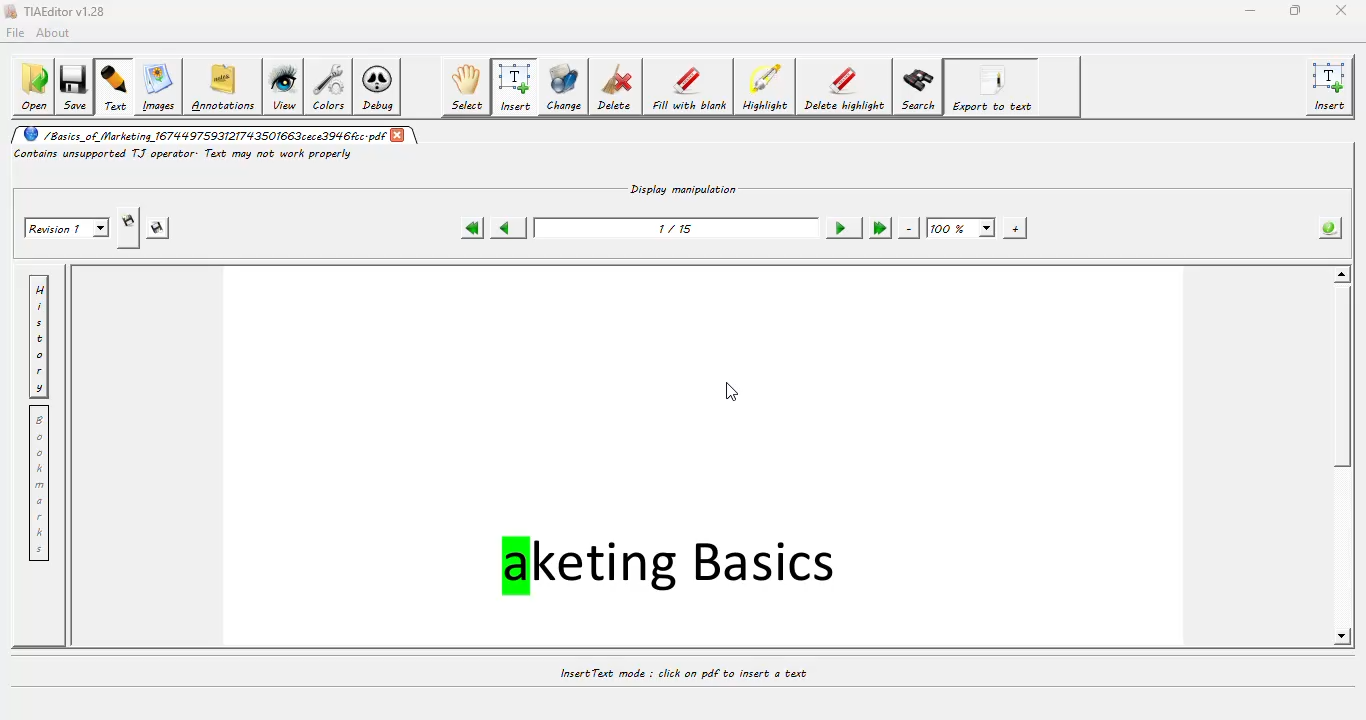 Image resolution: width=1366 pixels, height=720 pixels. Describe the element at coordinates (41, 484) in the screenshot. I see `bookmarks` at that location.